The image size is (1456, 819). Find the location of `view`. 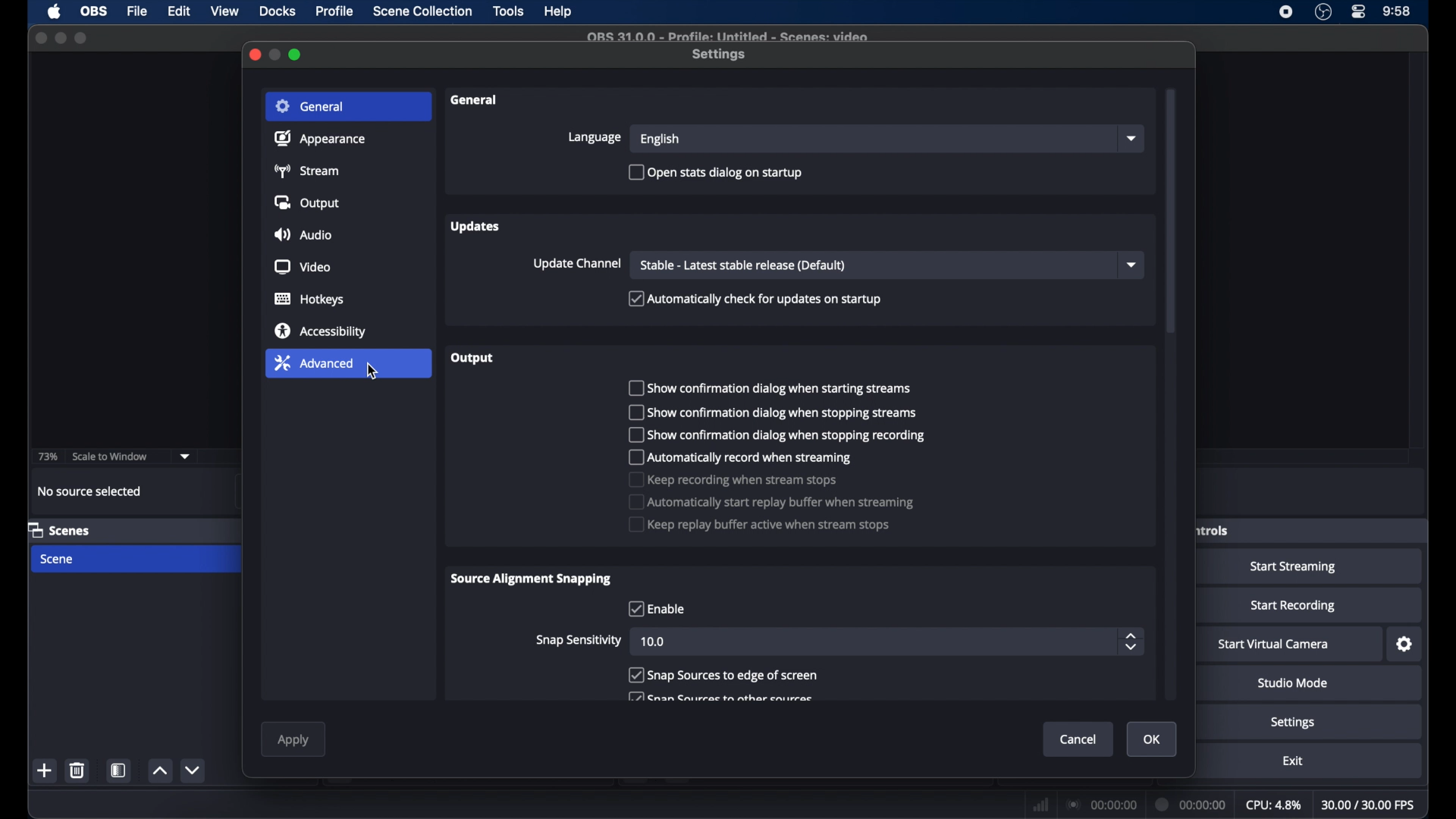

view is located at coordinates (224, 11).